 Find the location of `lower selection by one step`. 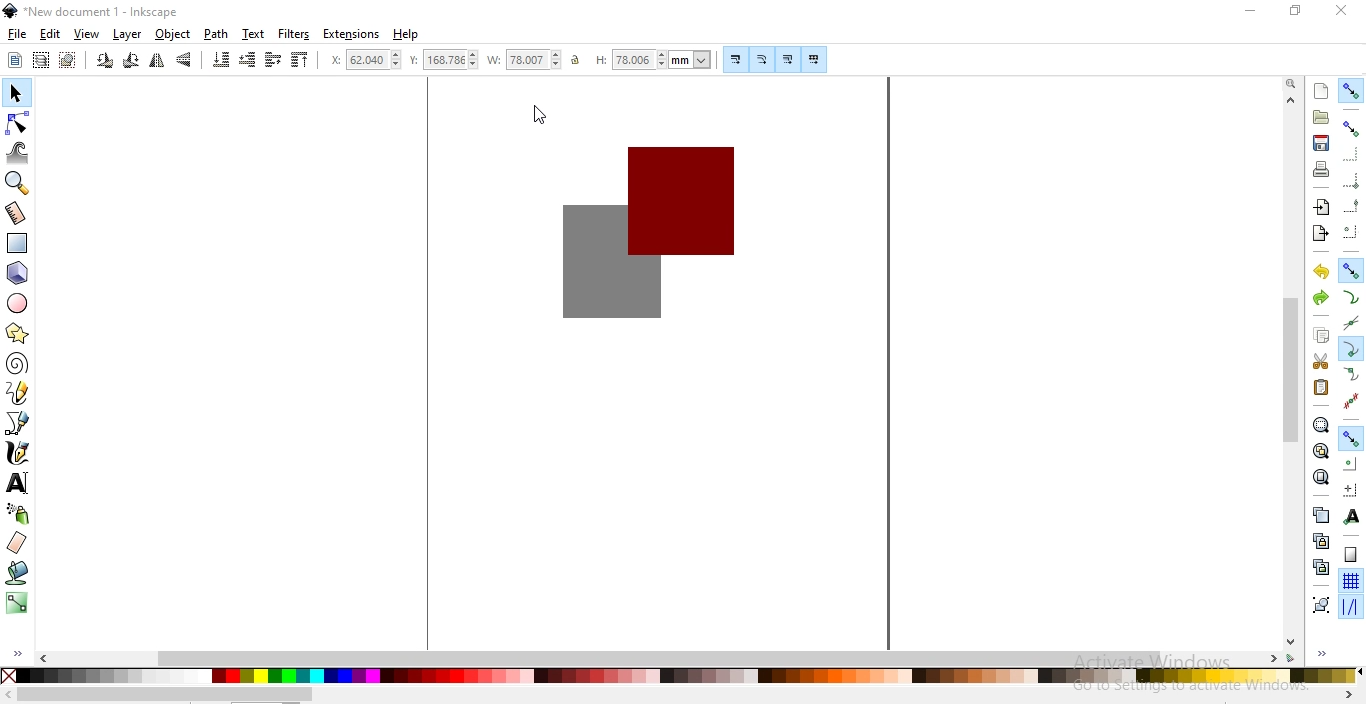

lower selection by one step is located at coordinates (247, 60).